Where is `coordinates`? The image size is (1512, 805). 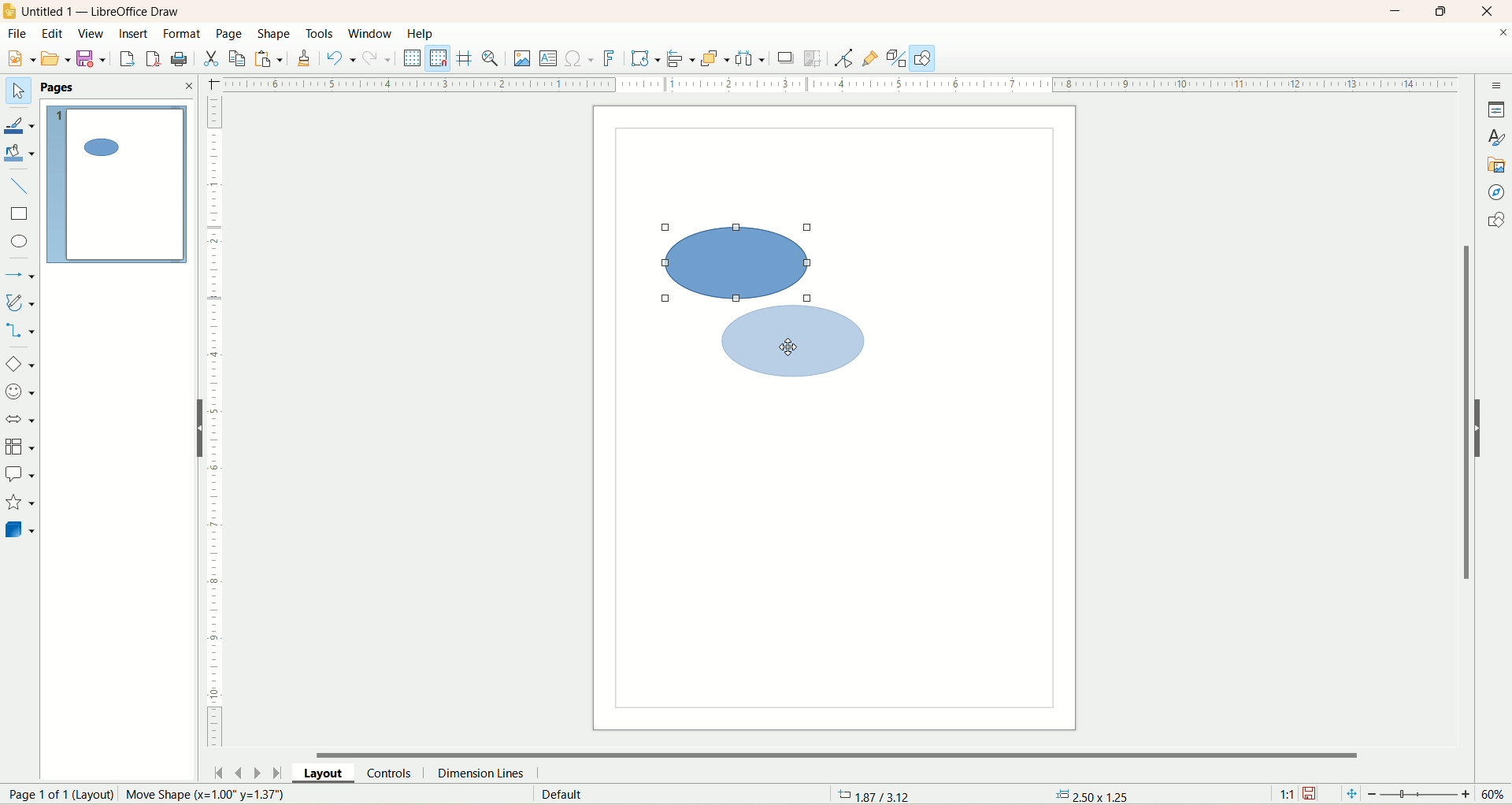 coordinates is located at coordinates (876, 796).